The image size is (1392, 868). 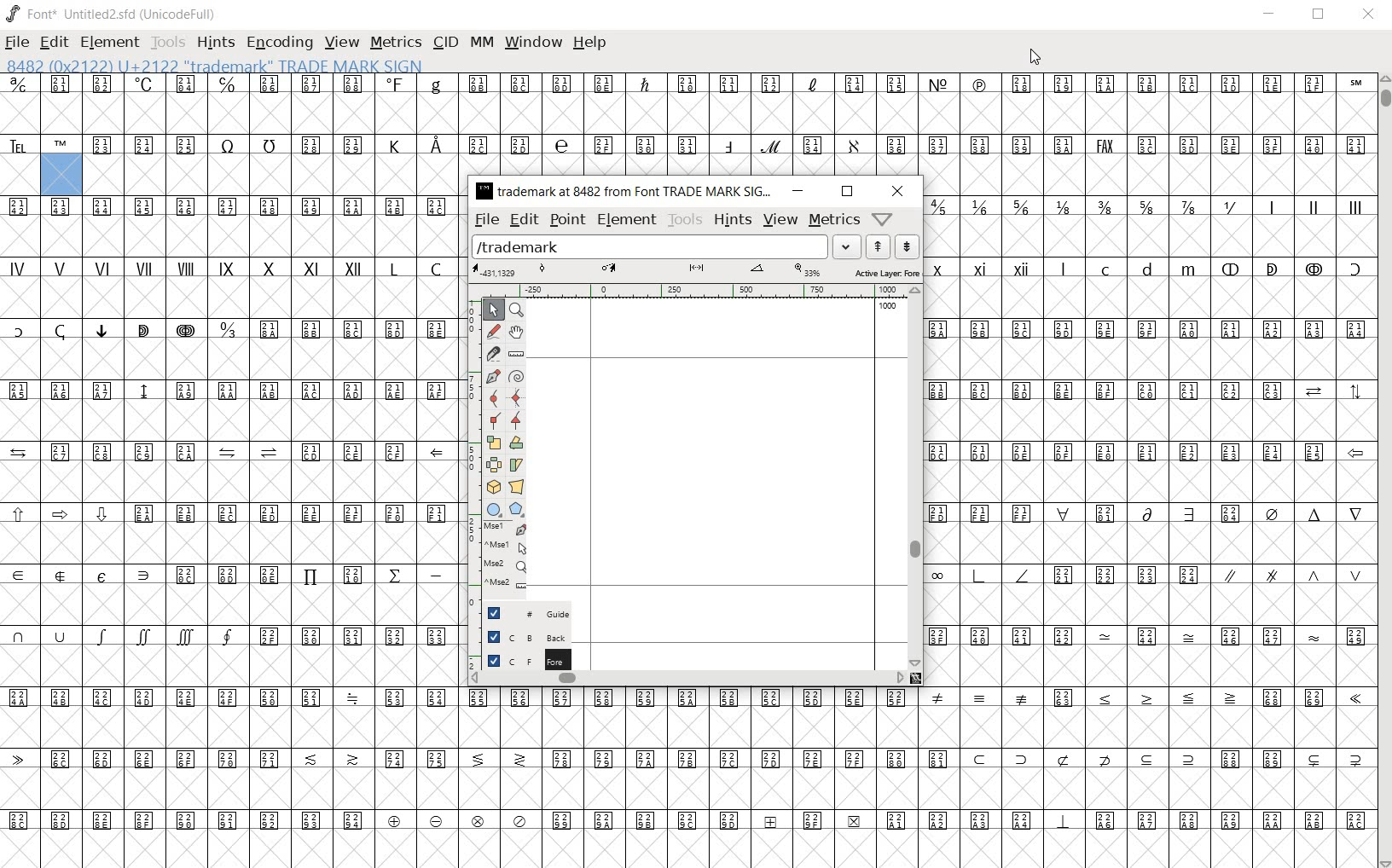 What do you see at coordinates (917, 476) in the screenshot?
I see `scrollbar` at bounding box center [917, 476].